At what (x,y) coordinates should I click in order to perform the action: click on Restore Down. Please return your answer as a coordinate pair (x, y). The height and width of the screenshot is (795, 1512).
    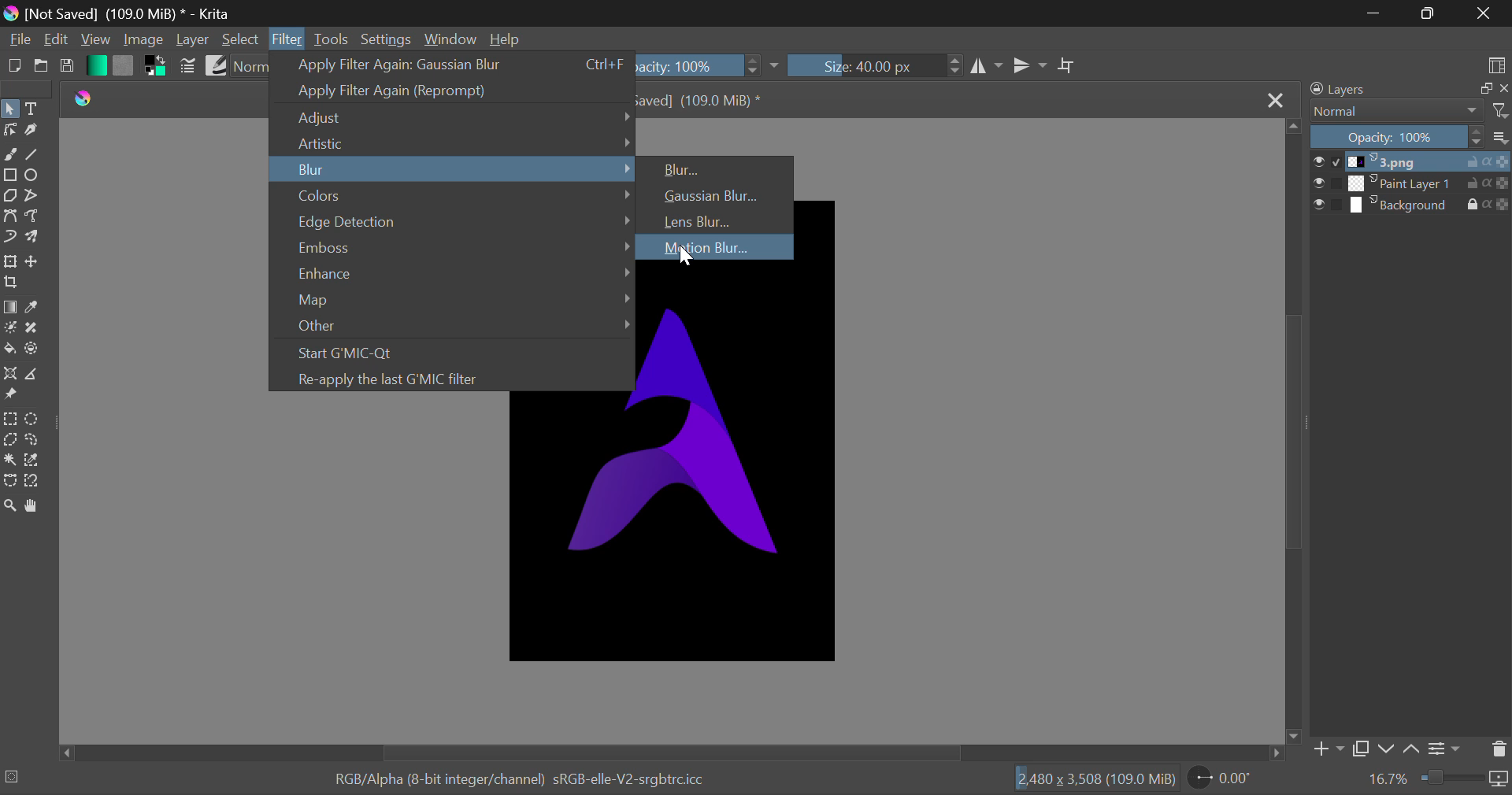
    Looking at the image, I should click on (1373, 13).